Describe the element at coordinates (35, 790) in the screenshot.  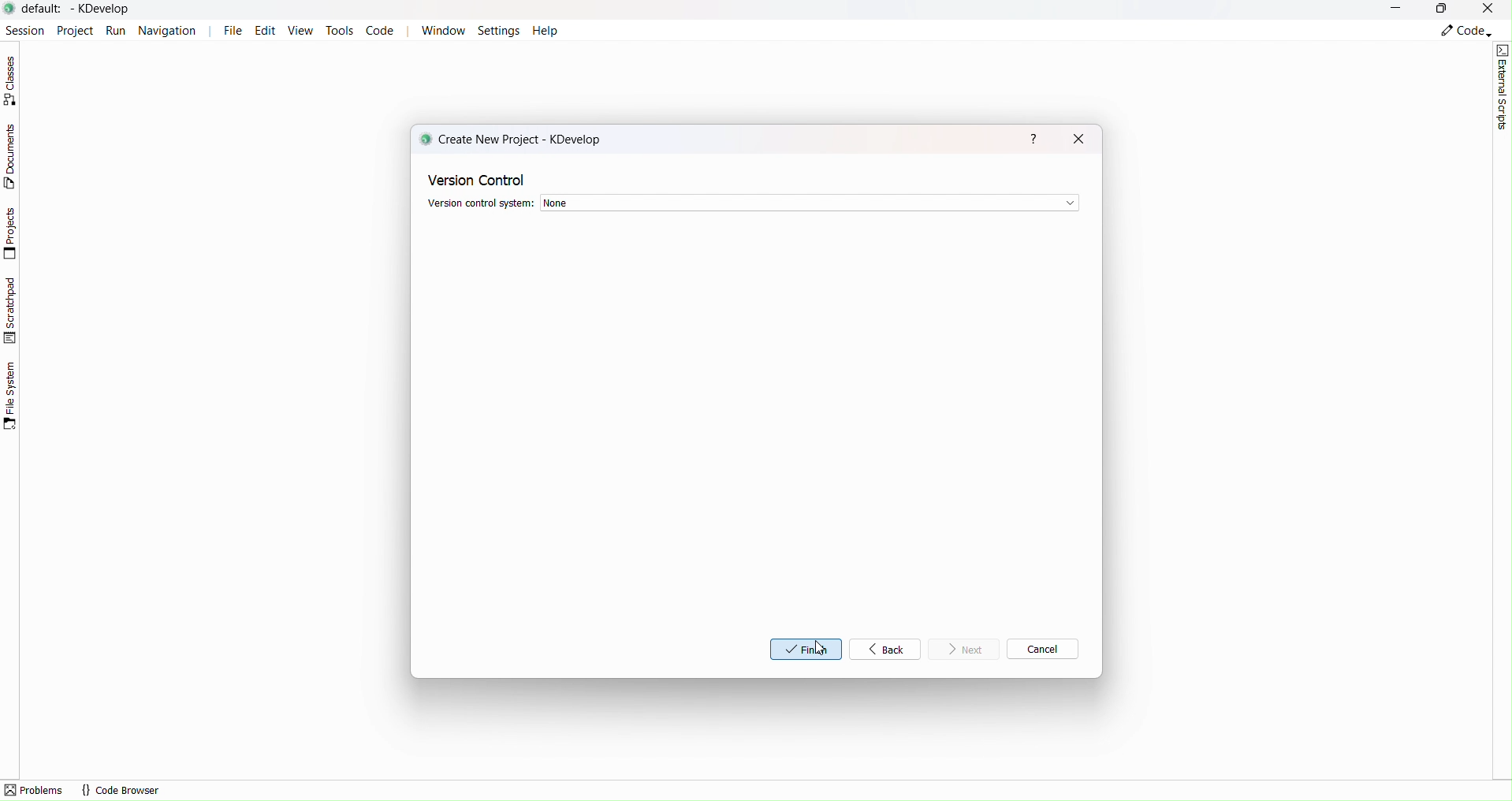
I see `problems` at that location.